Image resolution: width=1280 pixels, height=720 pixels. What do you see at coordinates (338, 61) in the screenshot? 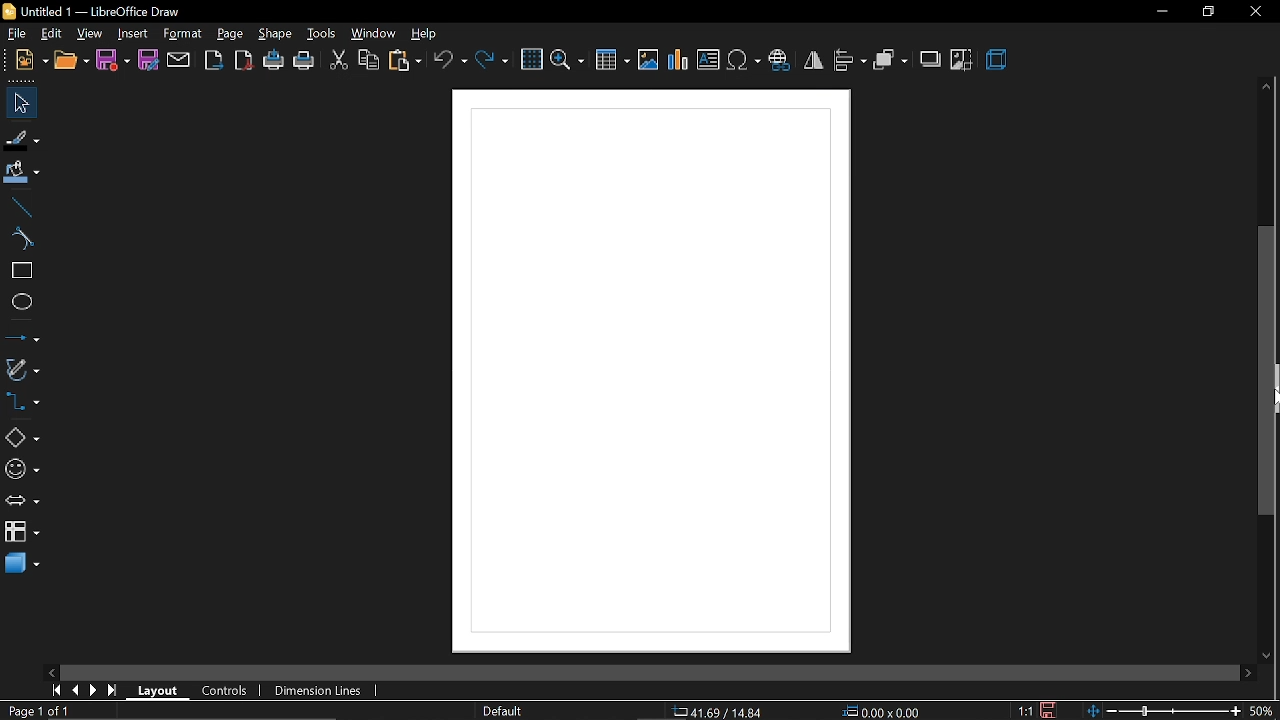
I see `cut` at bounding box center [338, 61].